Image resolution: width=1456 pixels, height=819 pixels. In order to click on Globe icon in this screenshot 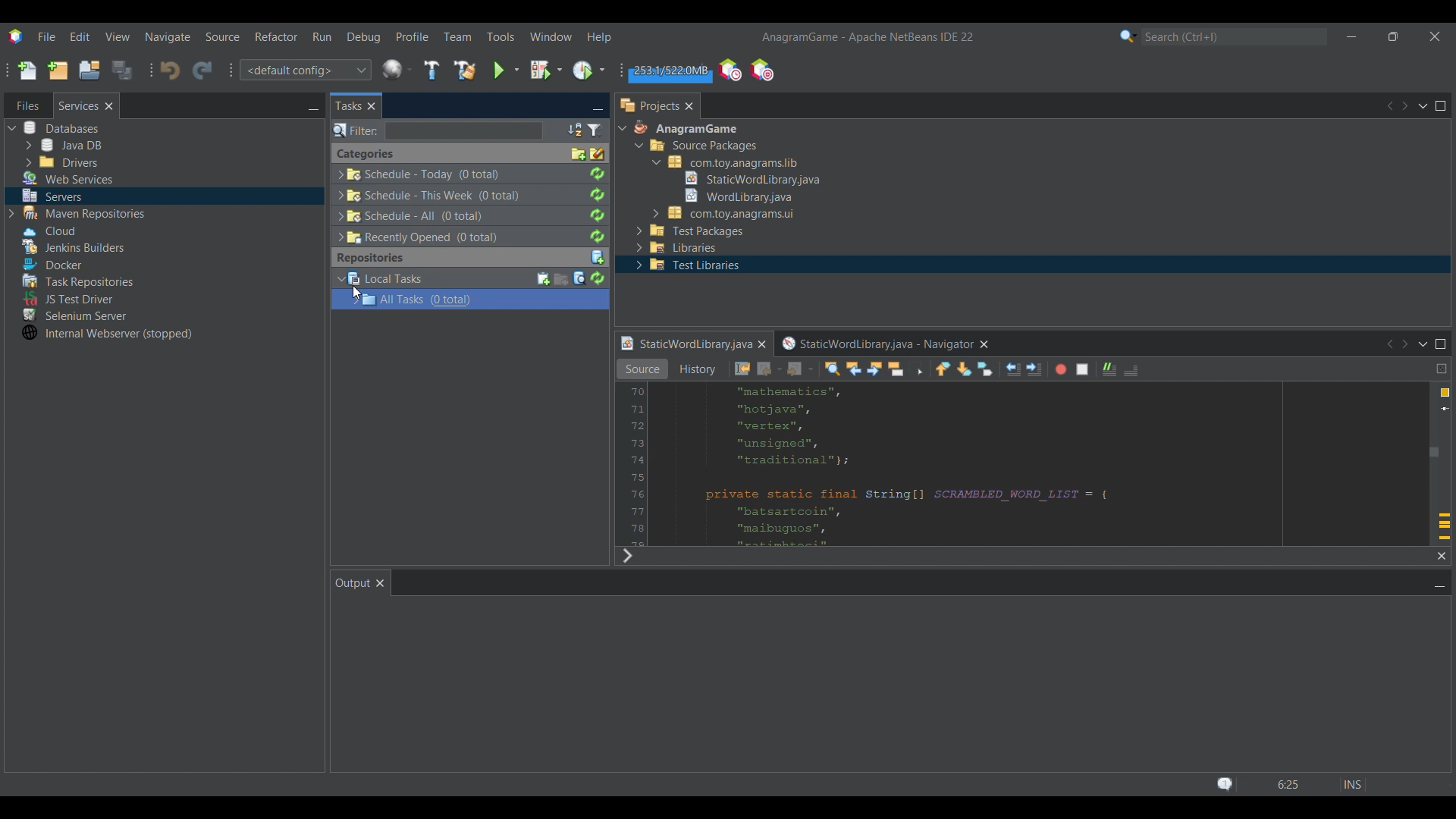, I will do `click(397, 69)`.